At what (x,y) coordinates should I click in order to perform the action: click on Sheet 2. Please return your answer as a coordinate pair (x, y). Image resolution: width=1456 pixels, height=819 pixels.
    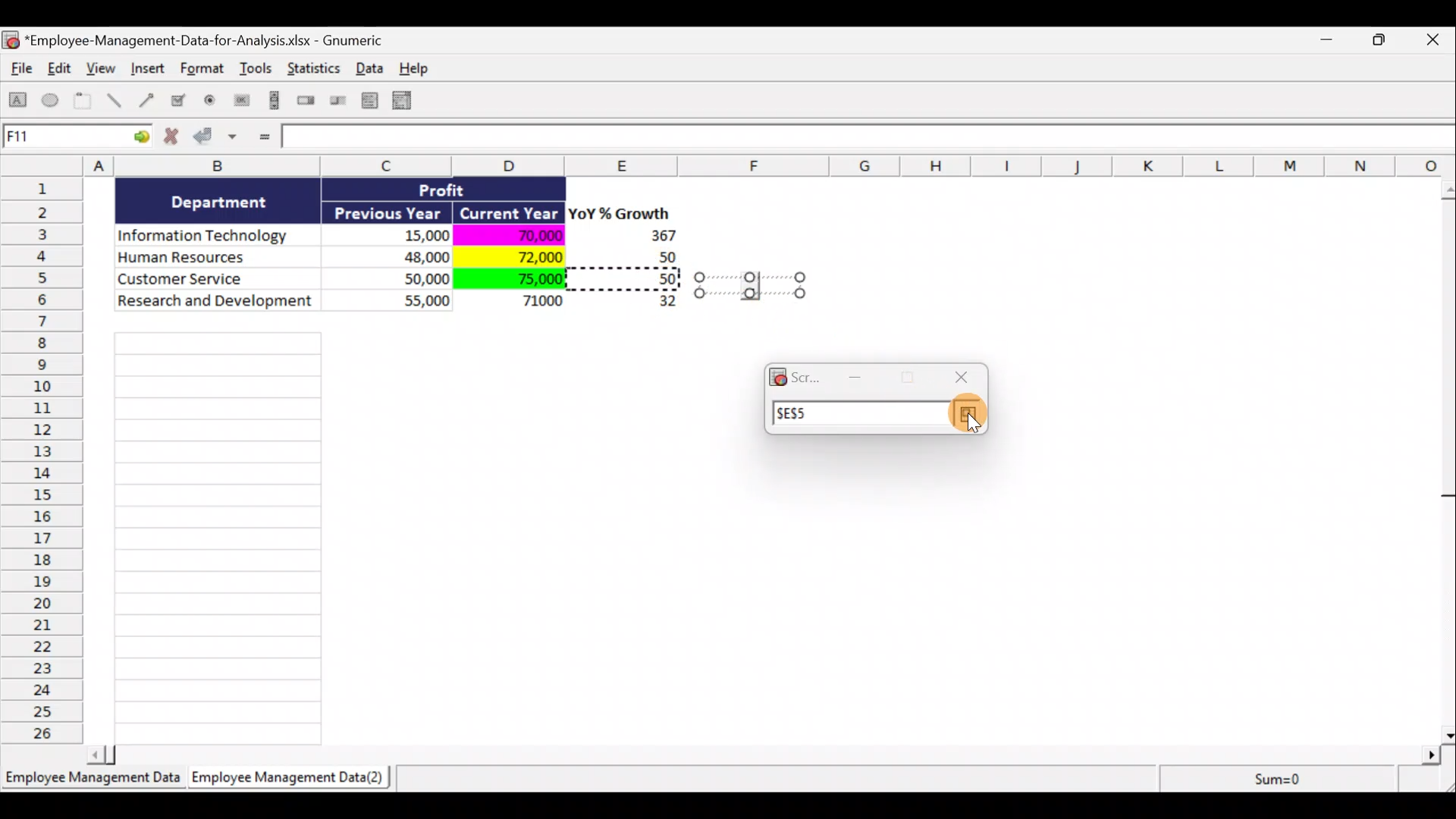
    Looking at the image, I should click on (292, 781).